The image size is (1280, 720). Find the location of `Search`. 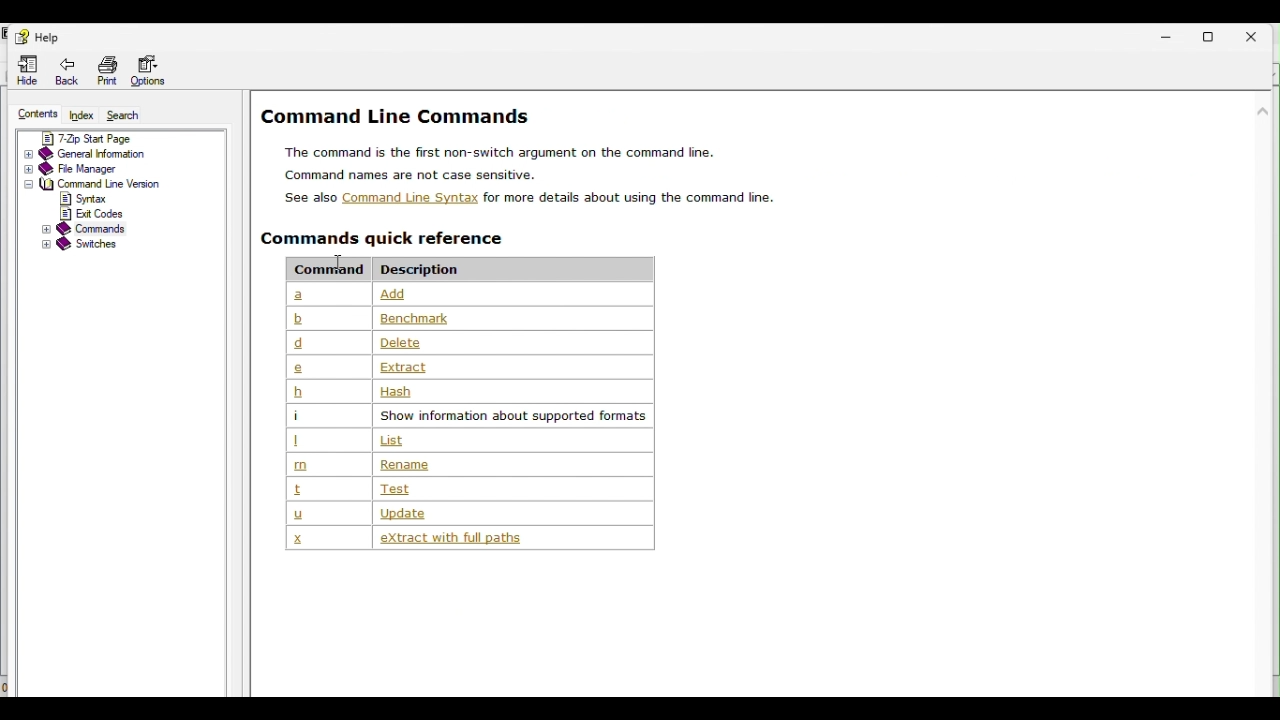

Search is located at coordinates (130, 114).